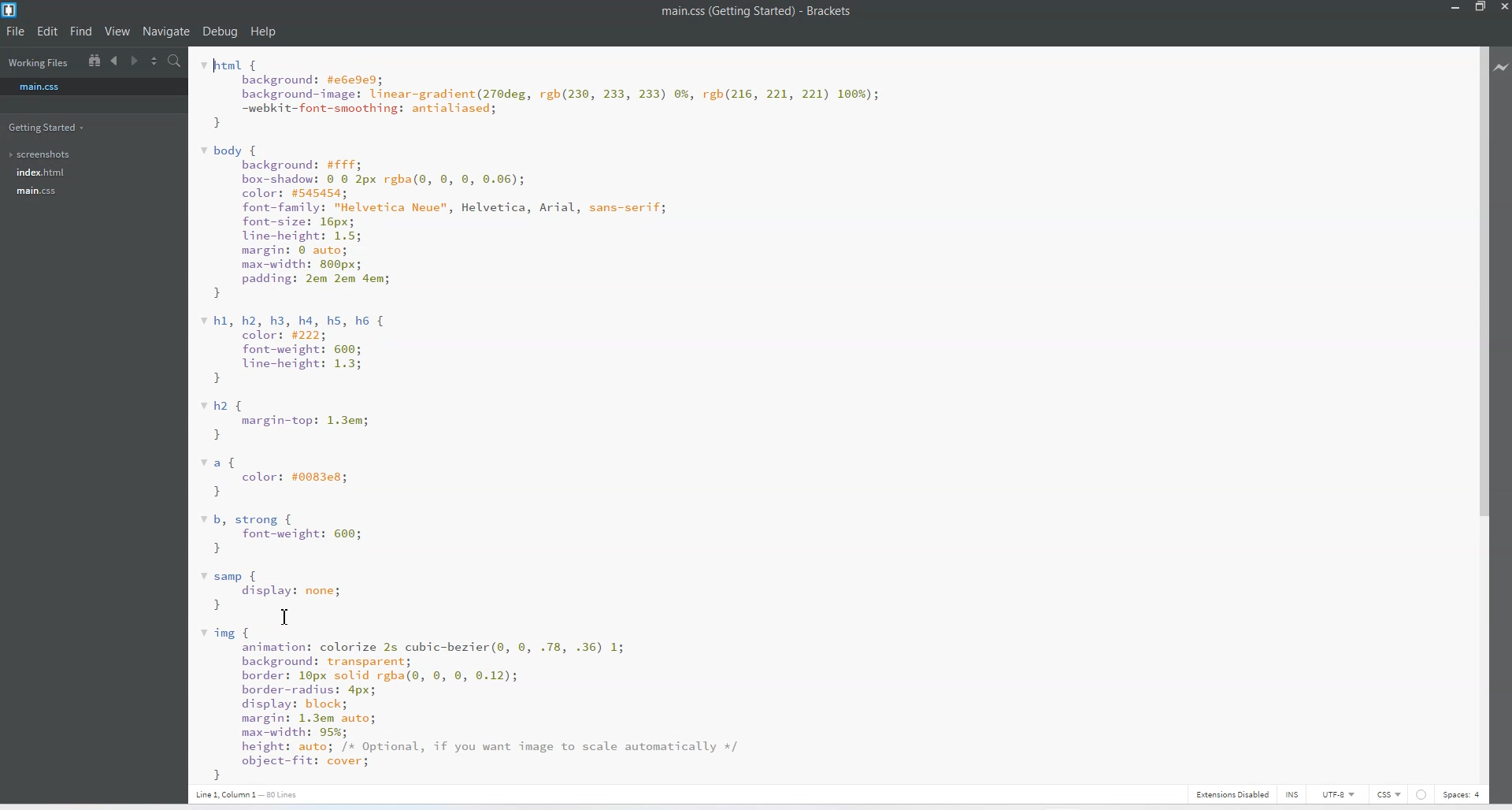 The width and height of the screenshot is (1512, 810). What do you see at coordinates (136, 61) in the screenshot?
I see `Navigate Forwards` at bounding box center [136, 61].